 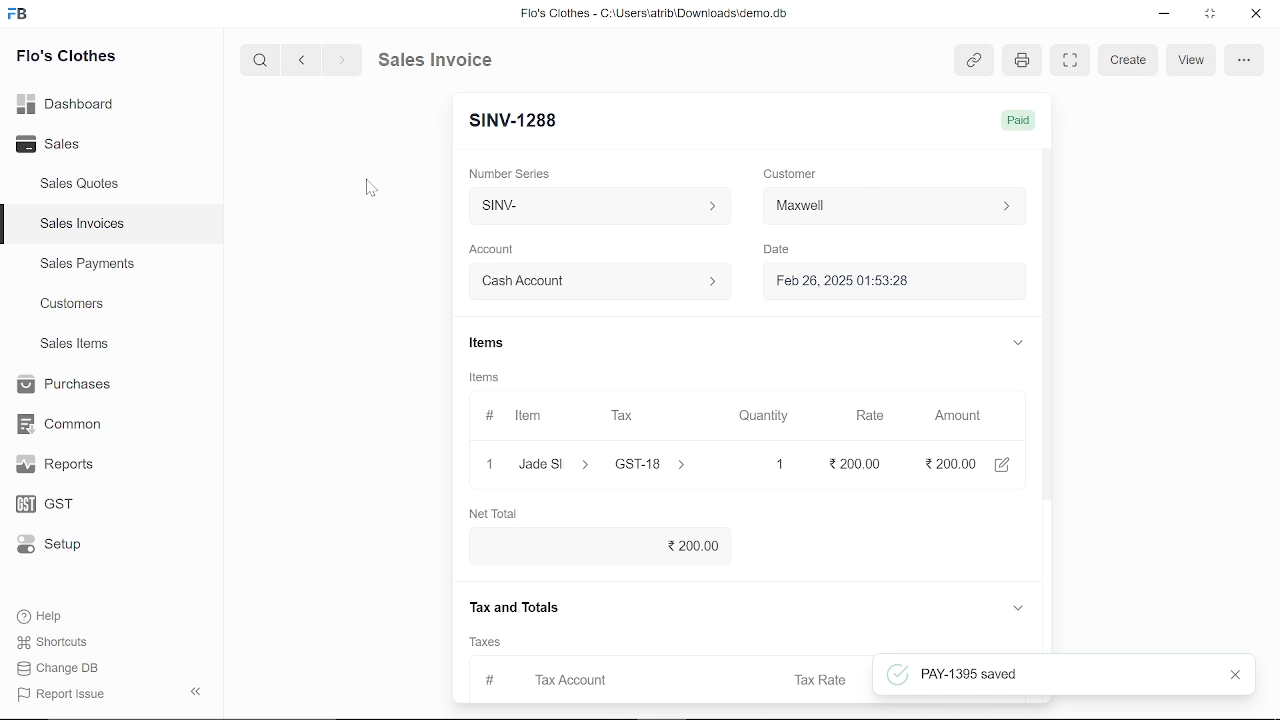 I want to click on 2,999.00, so click(x=948, y=463).